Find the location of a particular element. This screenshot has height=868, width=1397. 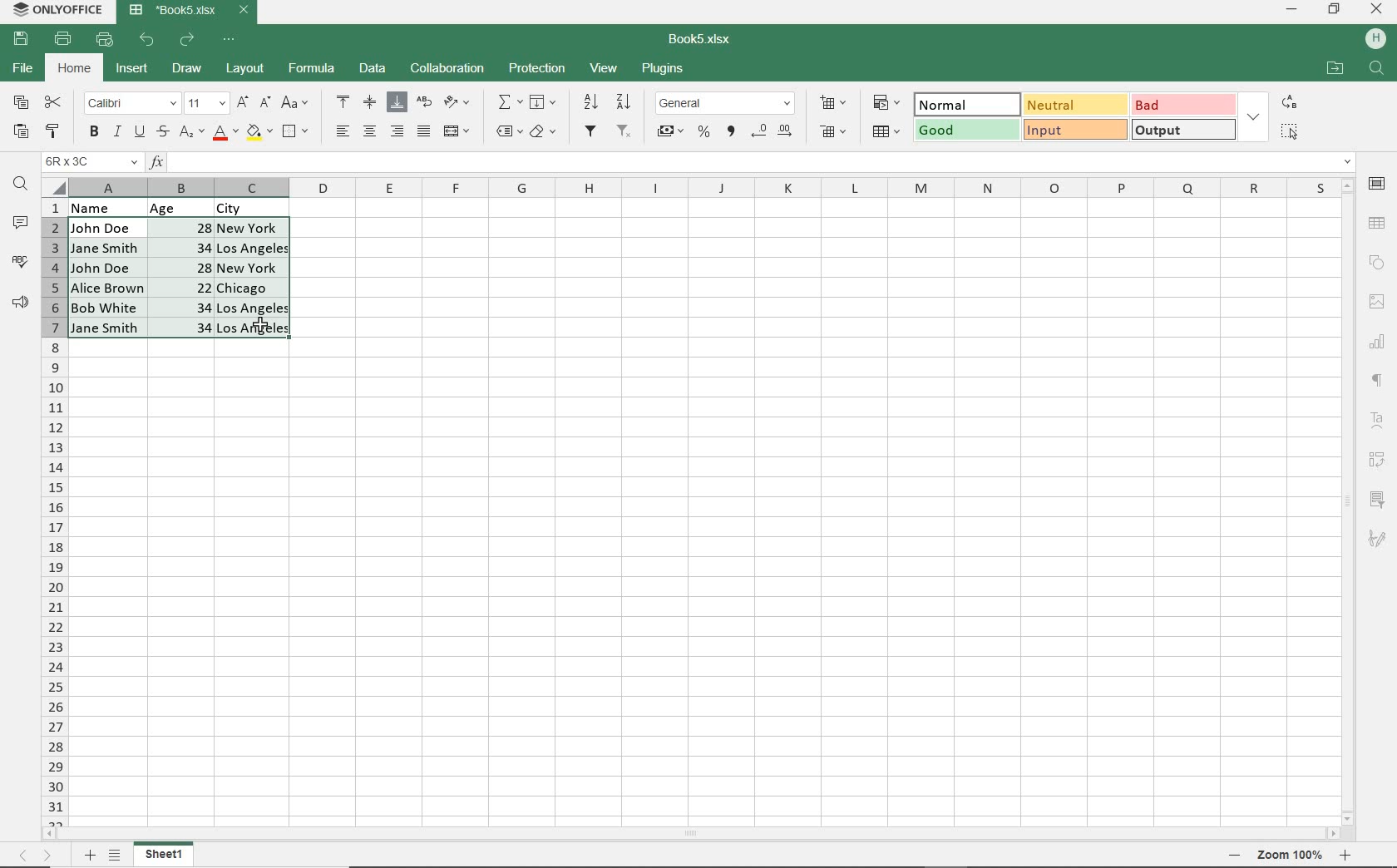

GOOD is located at coordinates (965, 131).